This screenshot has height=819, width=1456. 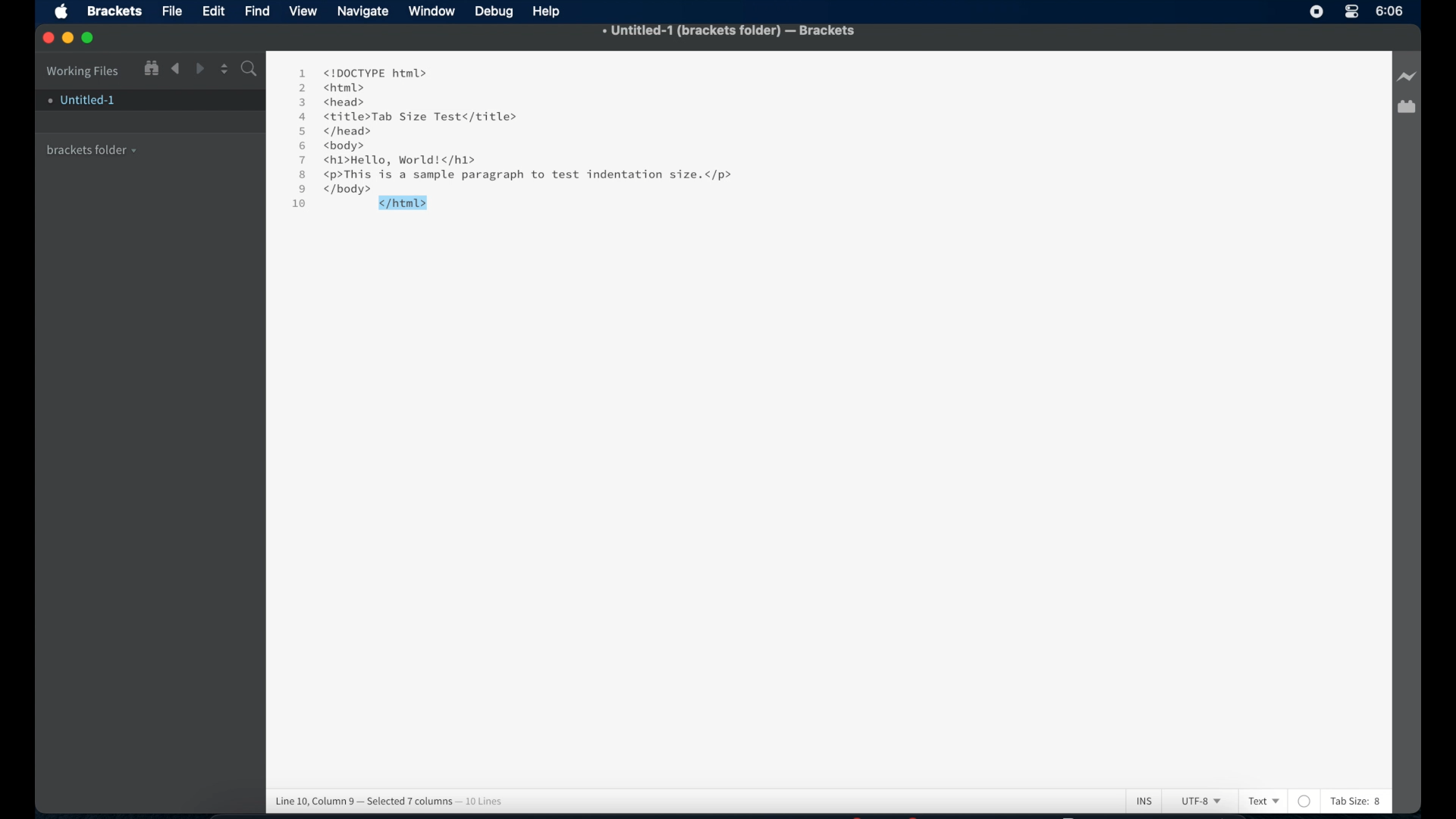 What do you see at coordinates (175, 69) in the screenshot?
I see `Left` at bounding box center [175, 69].